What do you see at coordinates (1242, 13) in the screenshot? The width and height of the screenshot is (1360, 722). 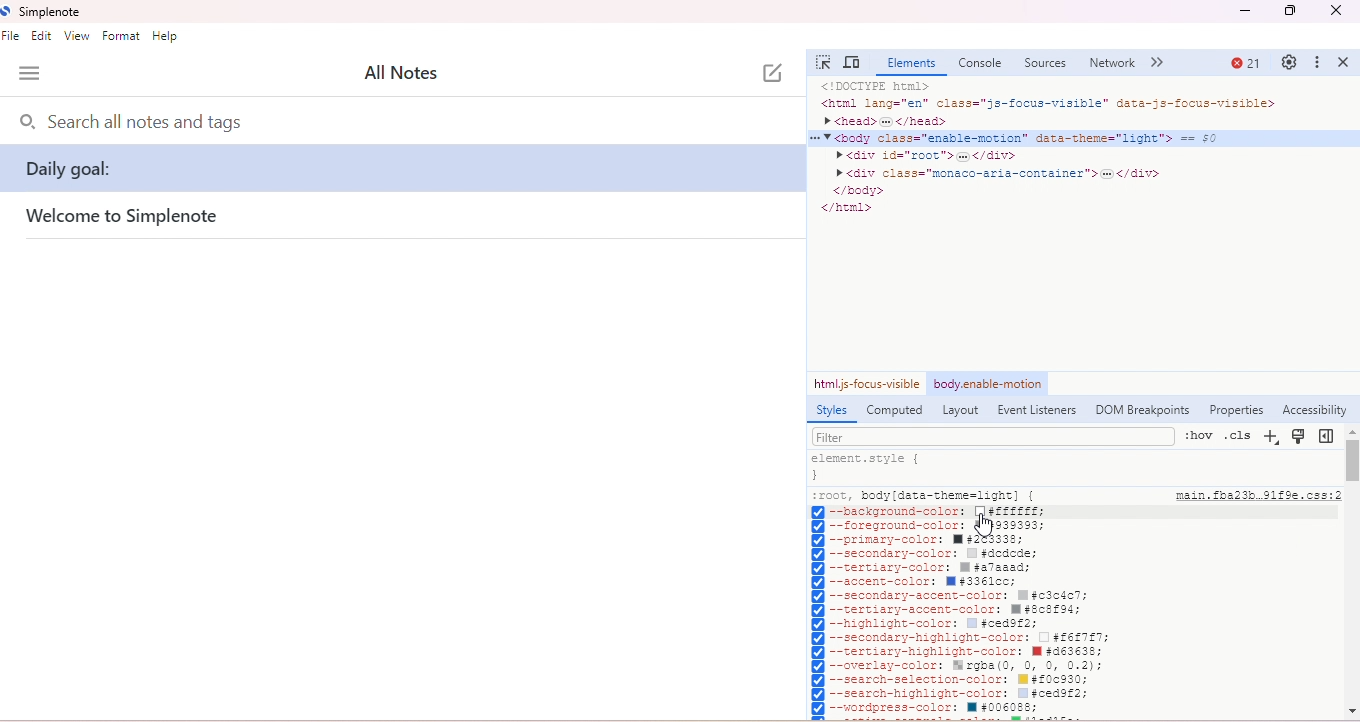 I see `minimize` at bounding box center [1242, 13].